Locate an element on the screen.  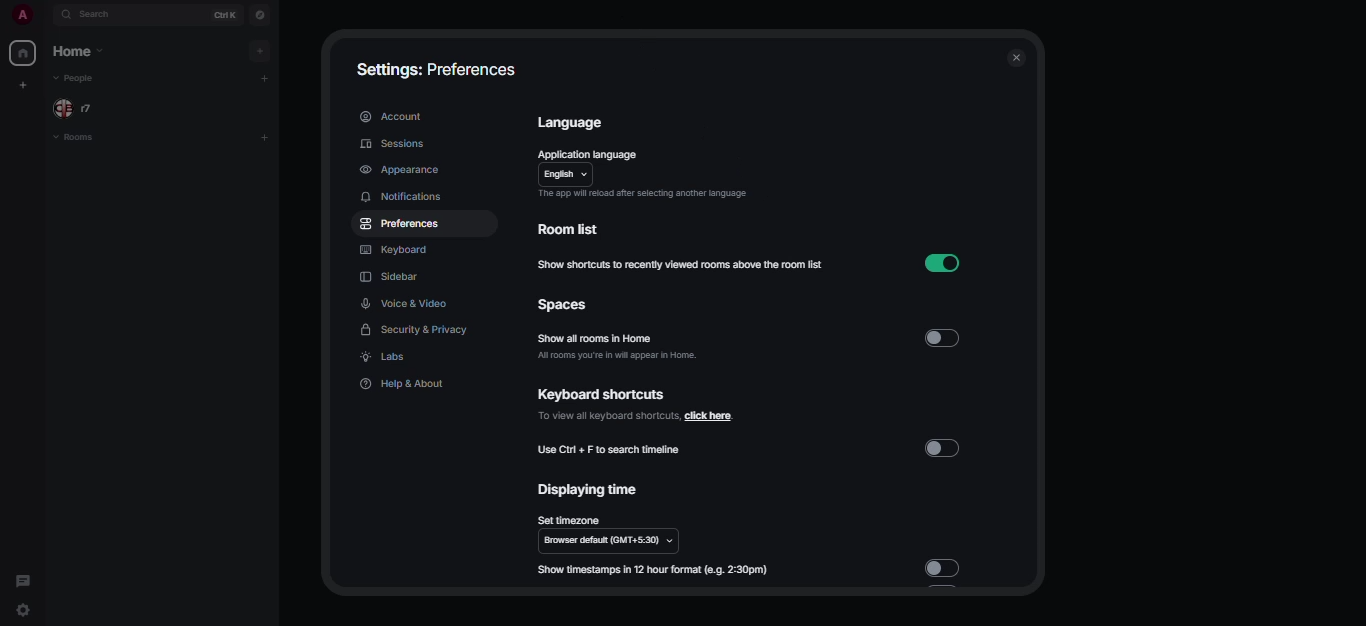
rooms is located at coordinates (96, 141).